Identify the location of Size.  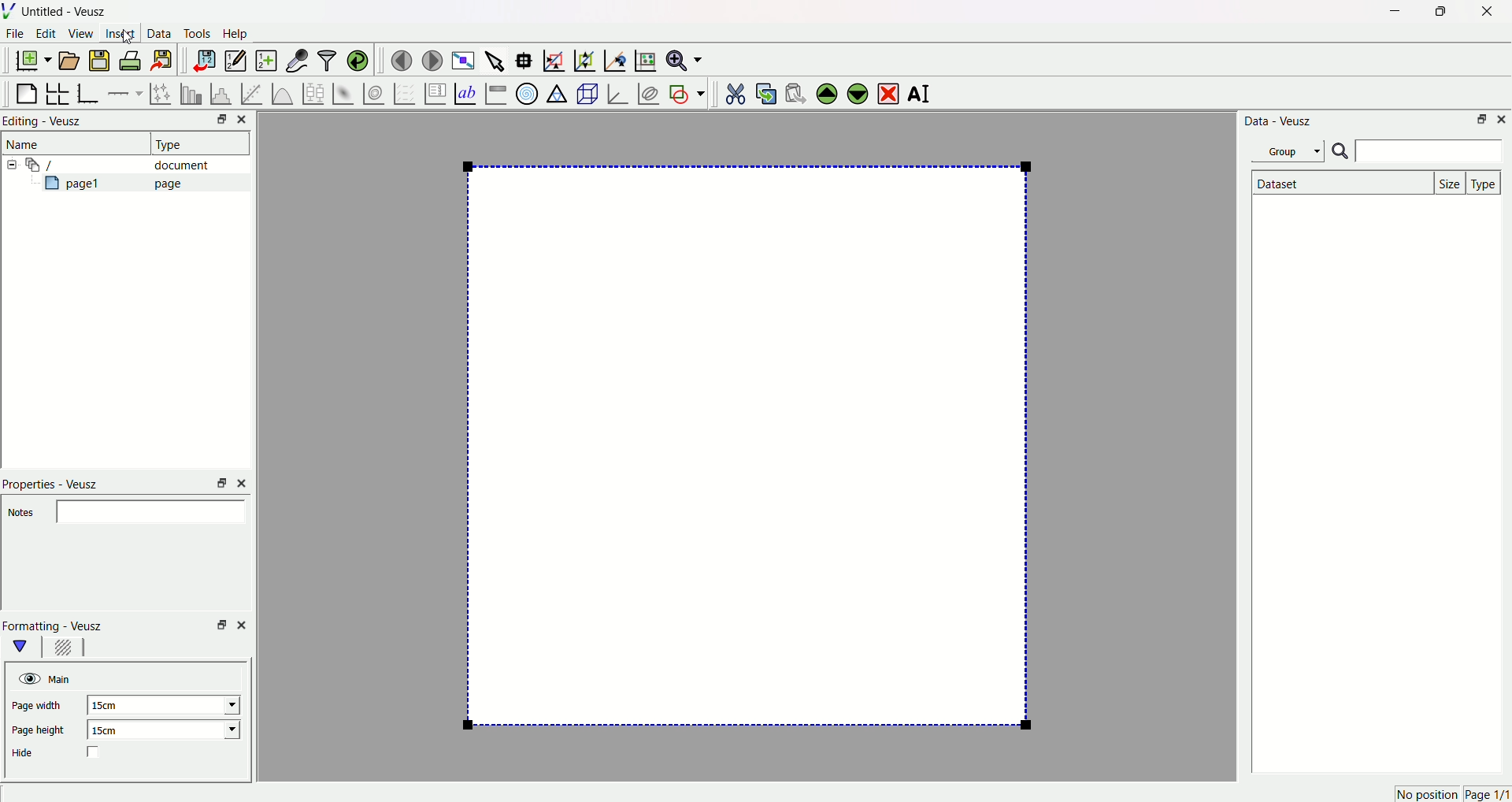
(1451, 182).